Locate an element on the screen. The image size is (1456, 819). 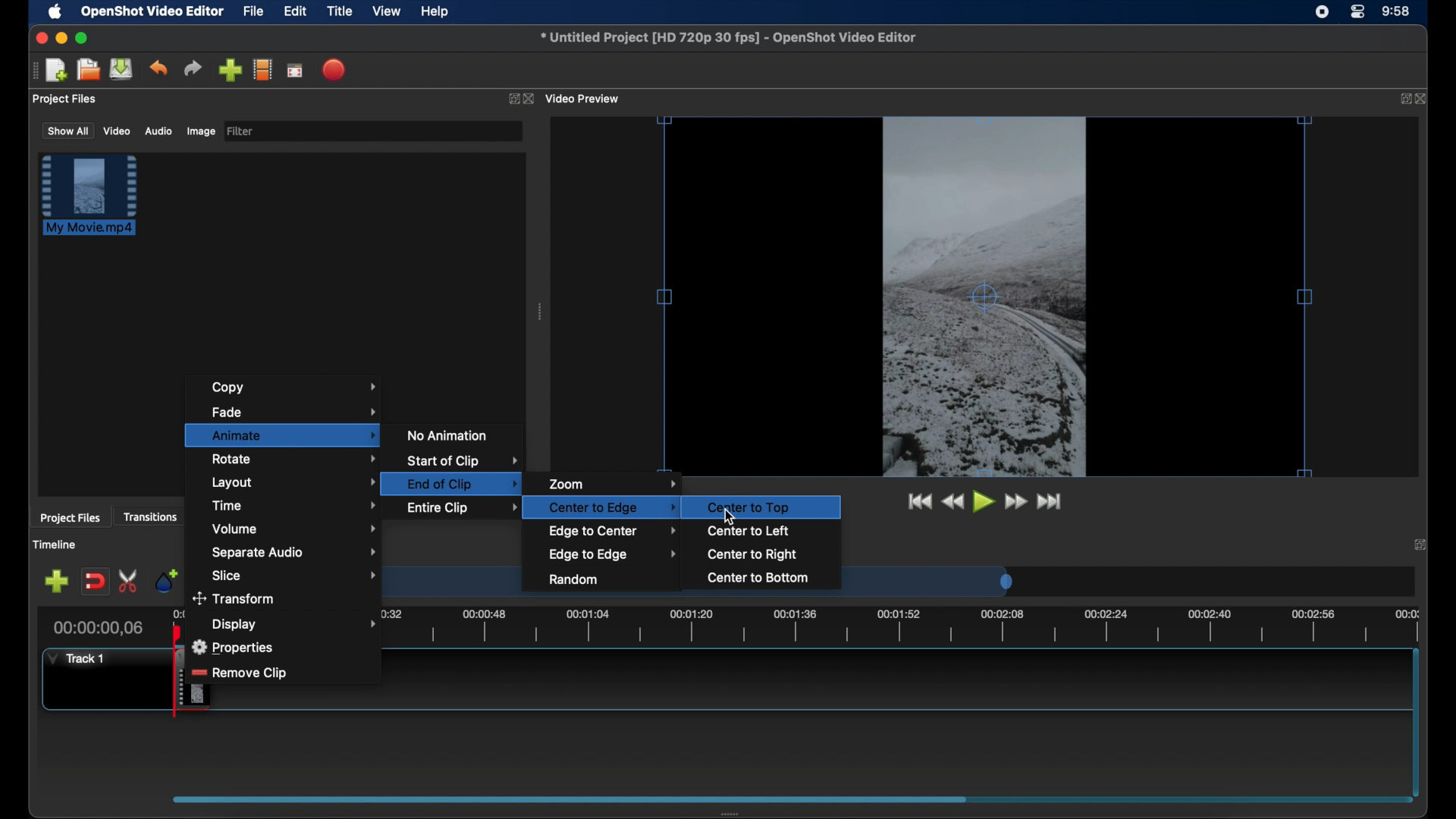
separate audio menu is located at coordinates (295, 554).